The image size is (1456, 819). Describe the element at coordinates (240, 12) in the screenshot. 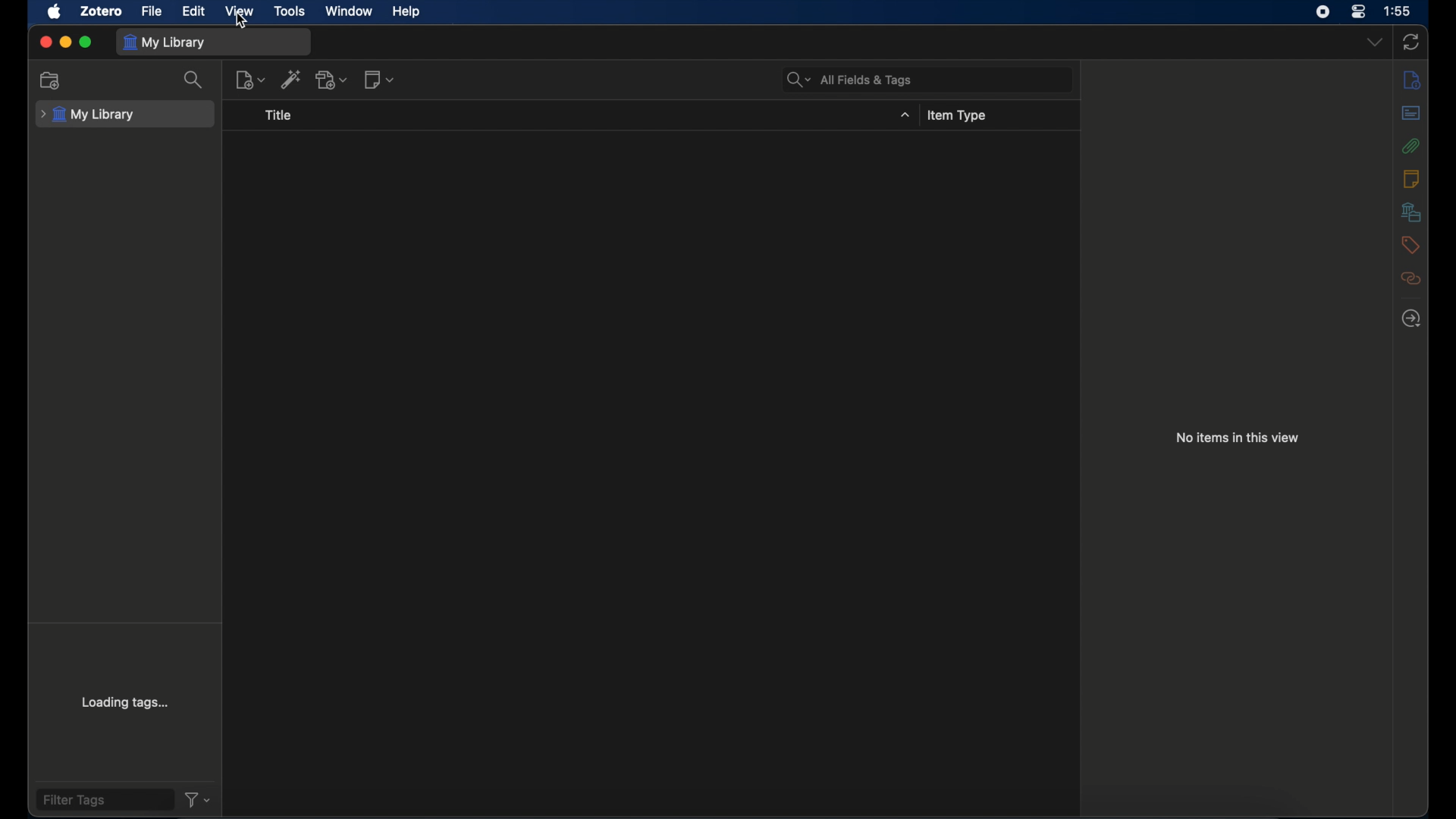

I see `view` at that location.